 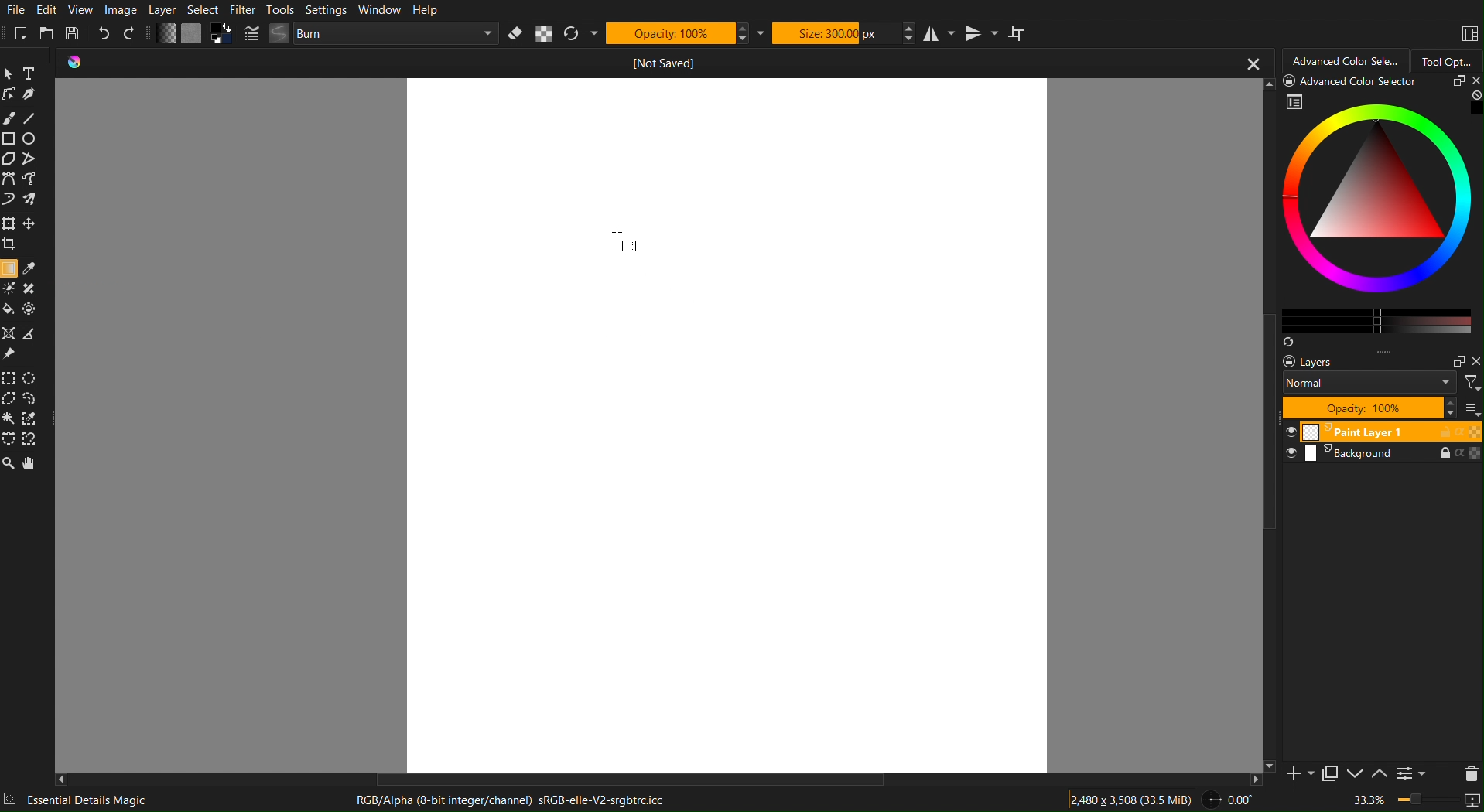 What do you see at coordinates (30, 118) in the screenshot?
I see `Line` at bounding box center [30, 118].